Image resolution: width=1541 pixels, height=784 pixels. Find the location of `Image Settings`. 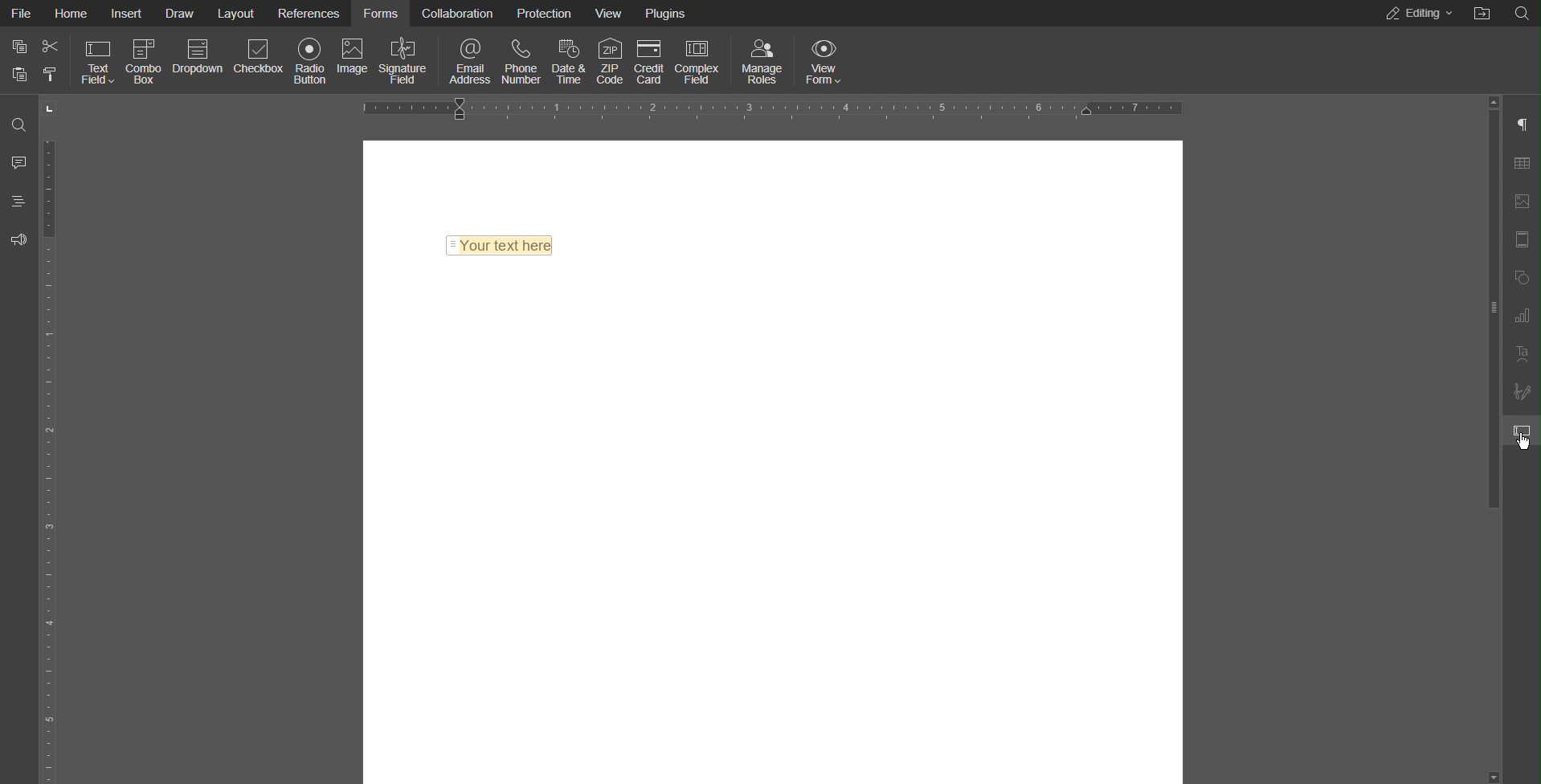

Image Settings is located at coordinates (1523, 200).